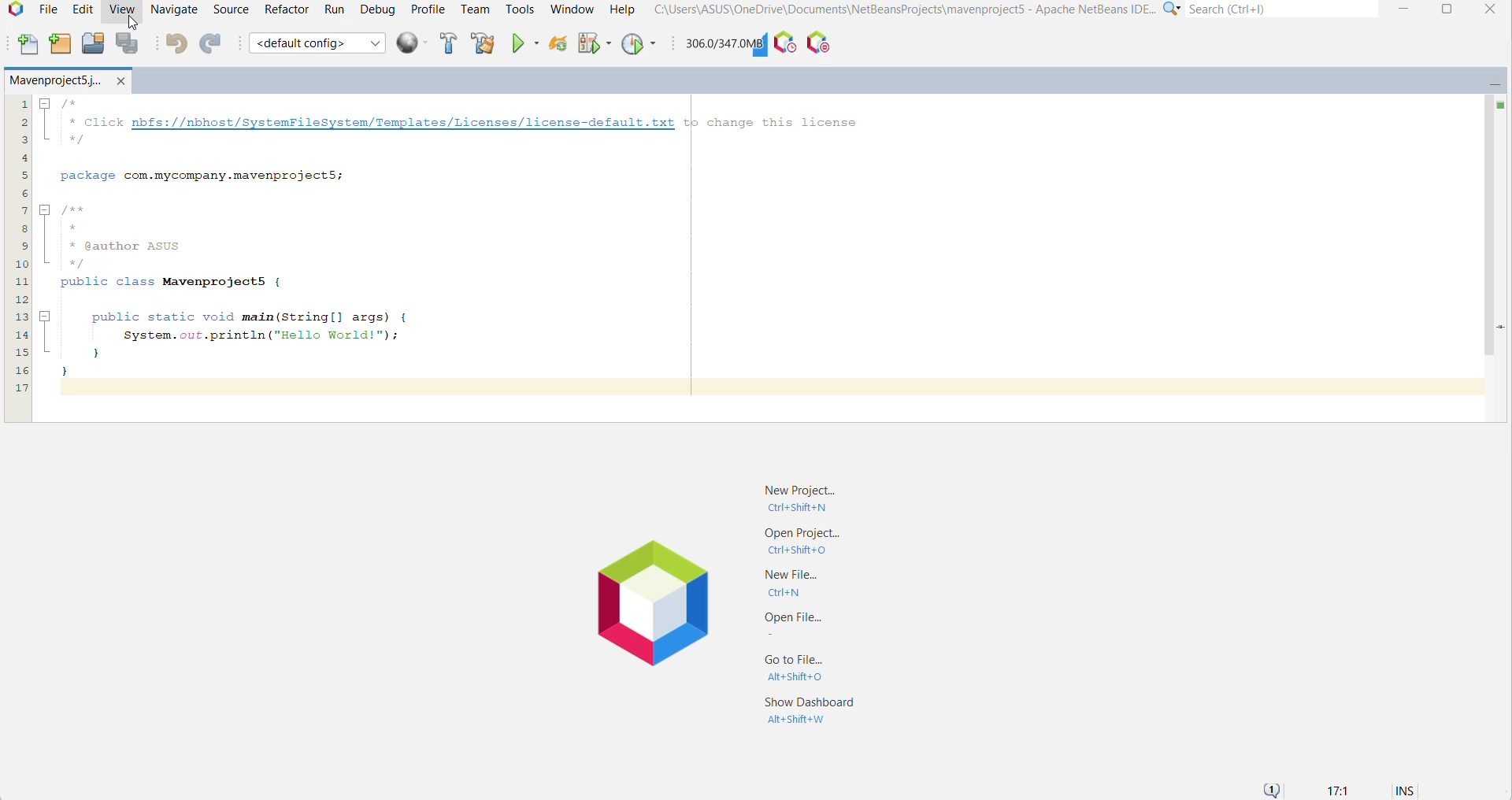  Describe the element at coordinates (1503, 106) in the screenshot. I see `No errors` at that location.